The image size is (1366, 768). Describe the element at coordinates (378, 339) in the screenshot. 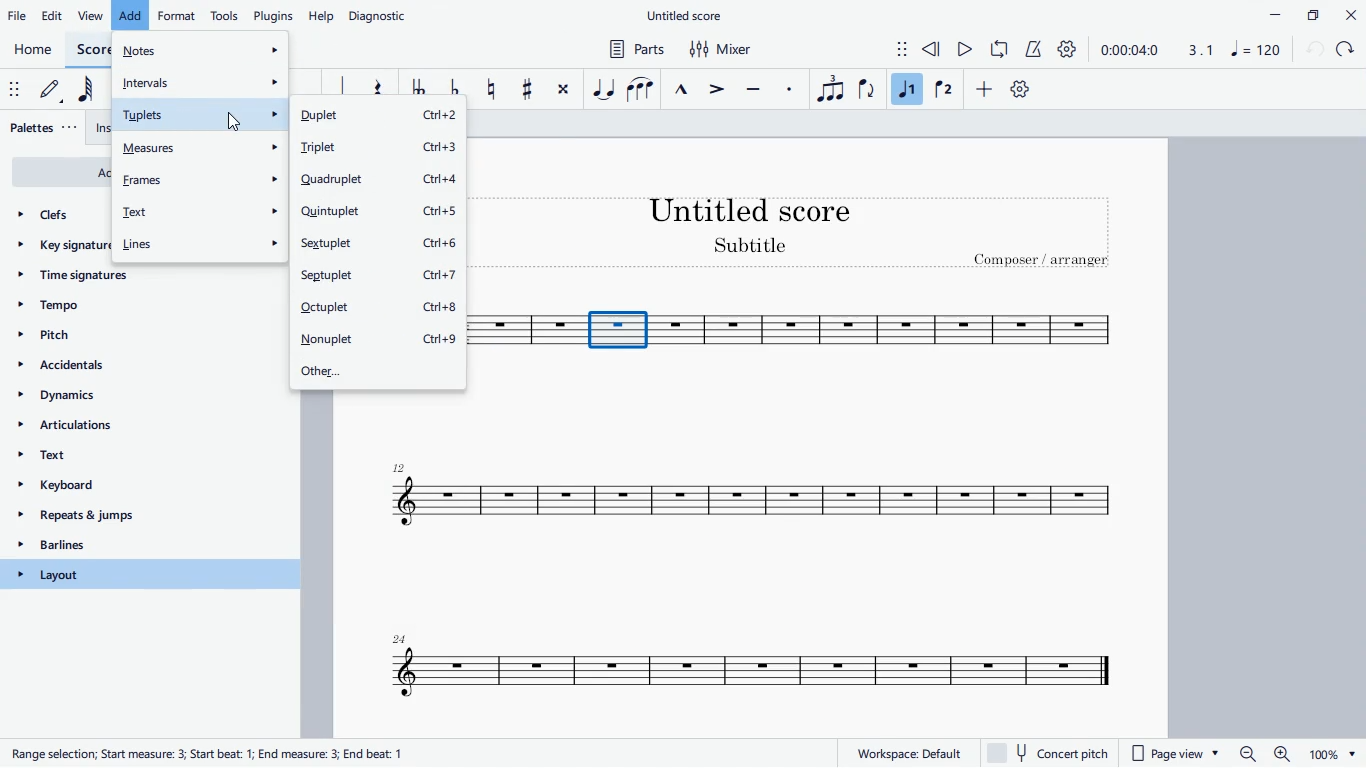

I see `nonuplet` at that location.